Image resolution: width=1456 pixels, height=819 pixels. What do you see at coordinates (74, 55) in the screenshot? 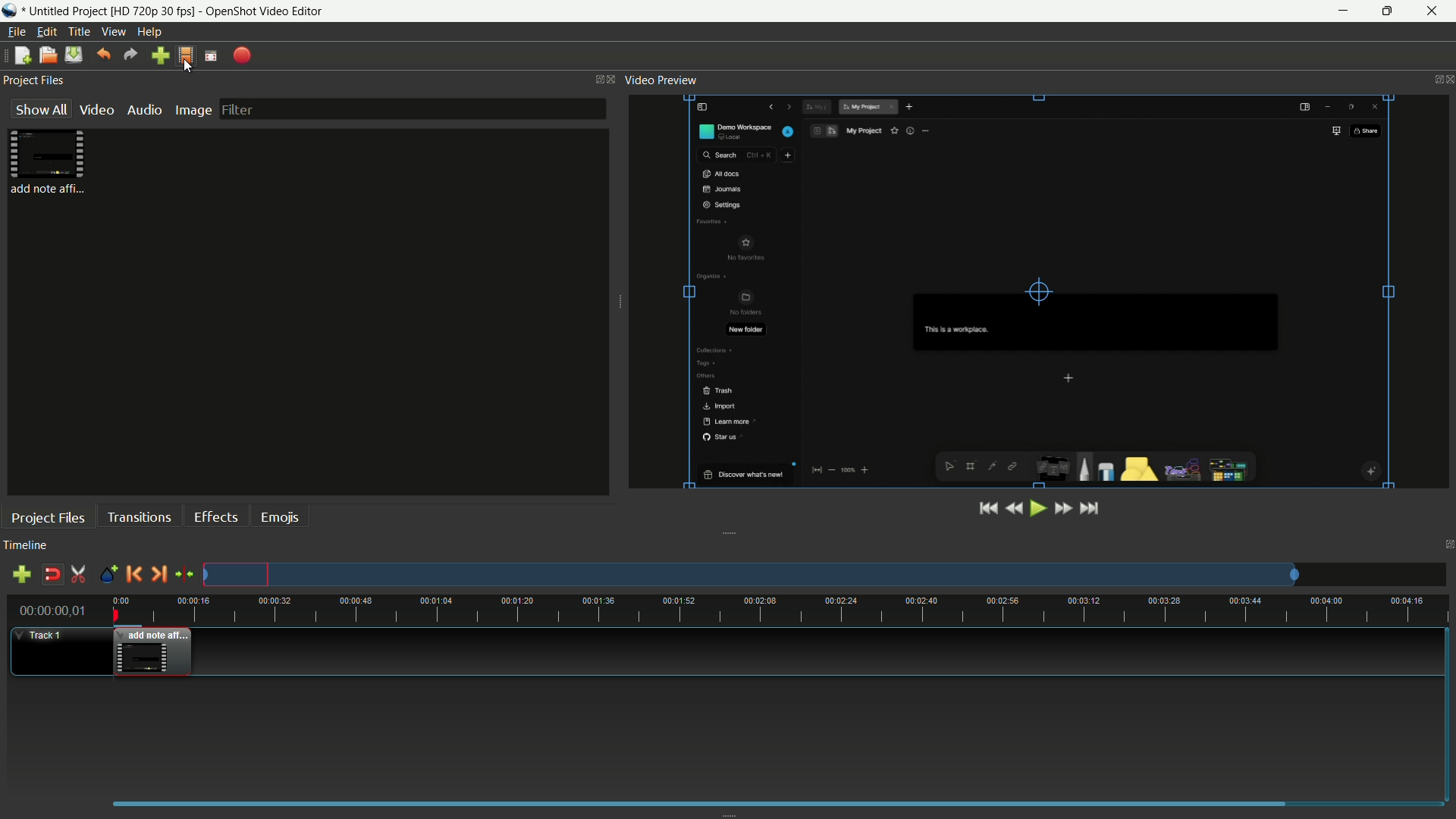
I see `save file` at bounding box center [74, 55].